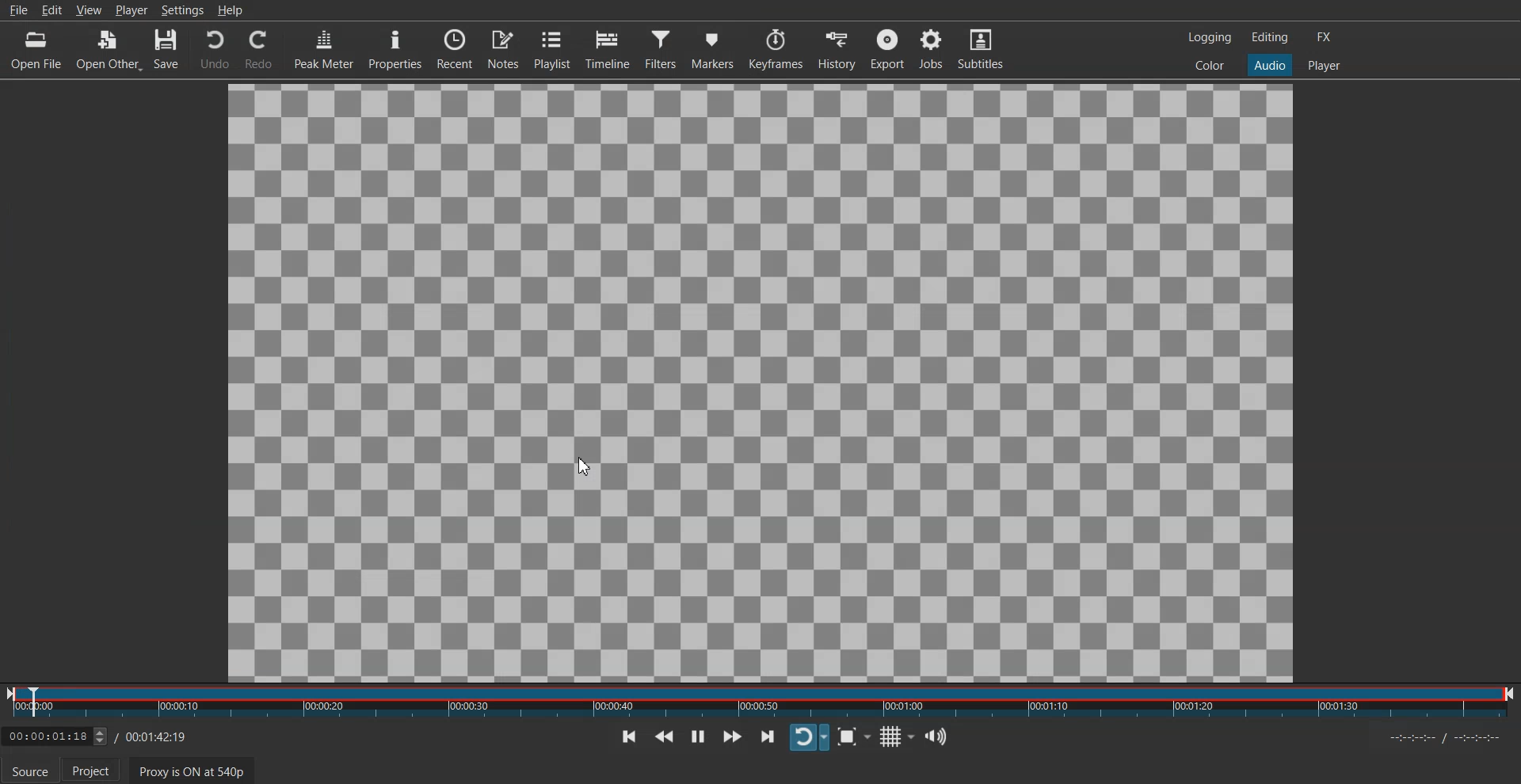 Image resolution: width=1521 pixels, height=784 pixels. I want to click on Recent, so click(455, 48).